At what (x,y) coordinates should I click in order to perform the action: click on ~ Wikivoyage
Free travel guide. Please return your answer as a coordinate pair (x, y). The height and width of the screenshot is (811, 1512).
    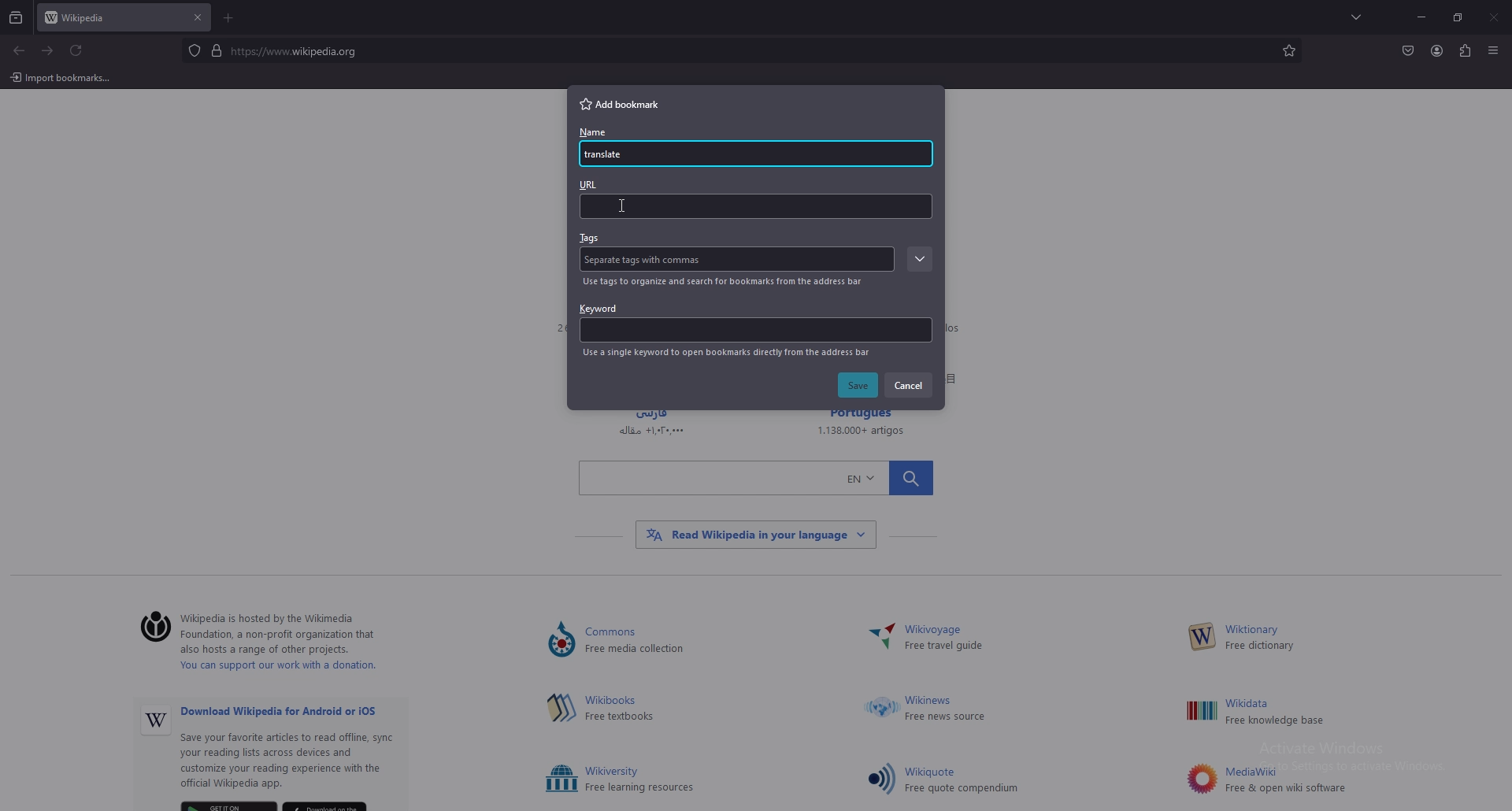
    Looking at the image, I should click on (951, 639).